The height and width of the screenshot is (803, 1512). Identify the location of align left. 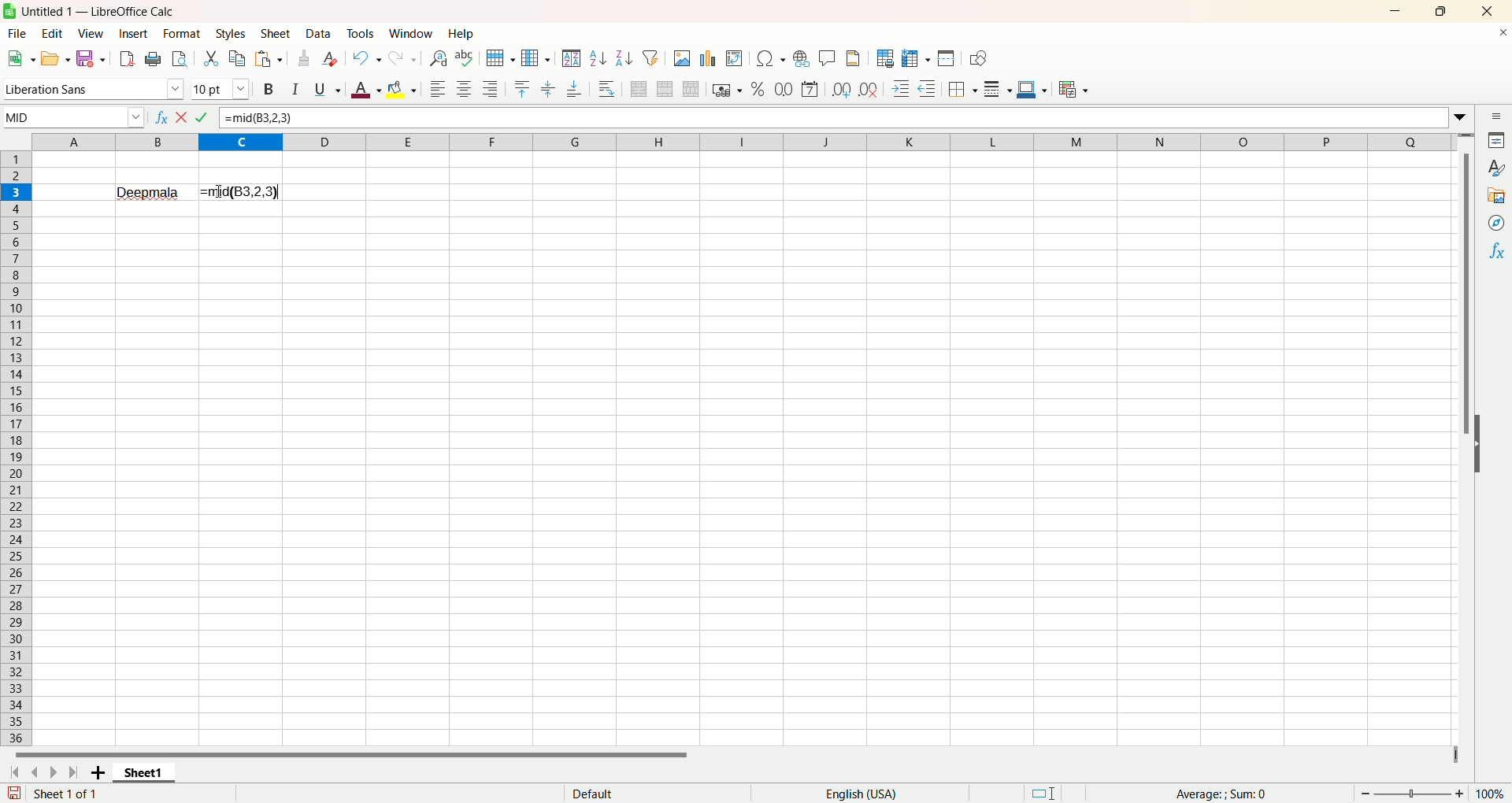
(439, 90).